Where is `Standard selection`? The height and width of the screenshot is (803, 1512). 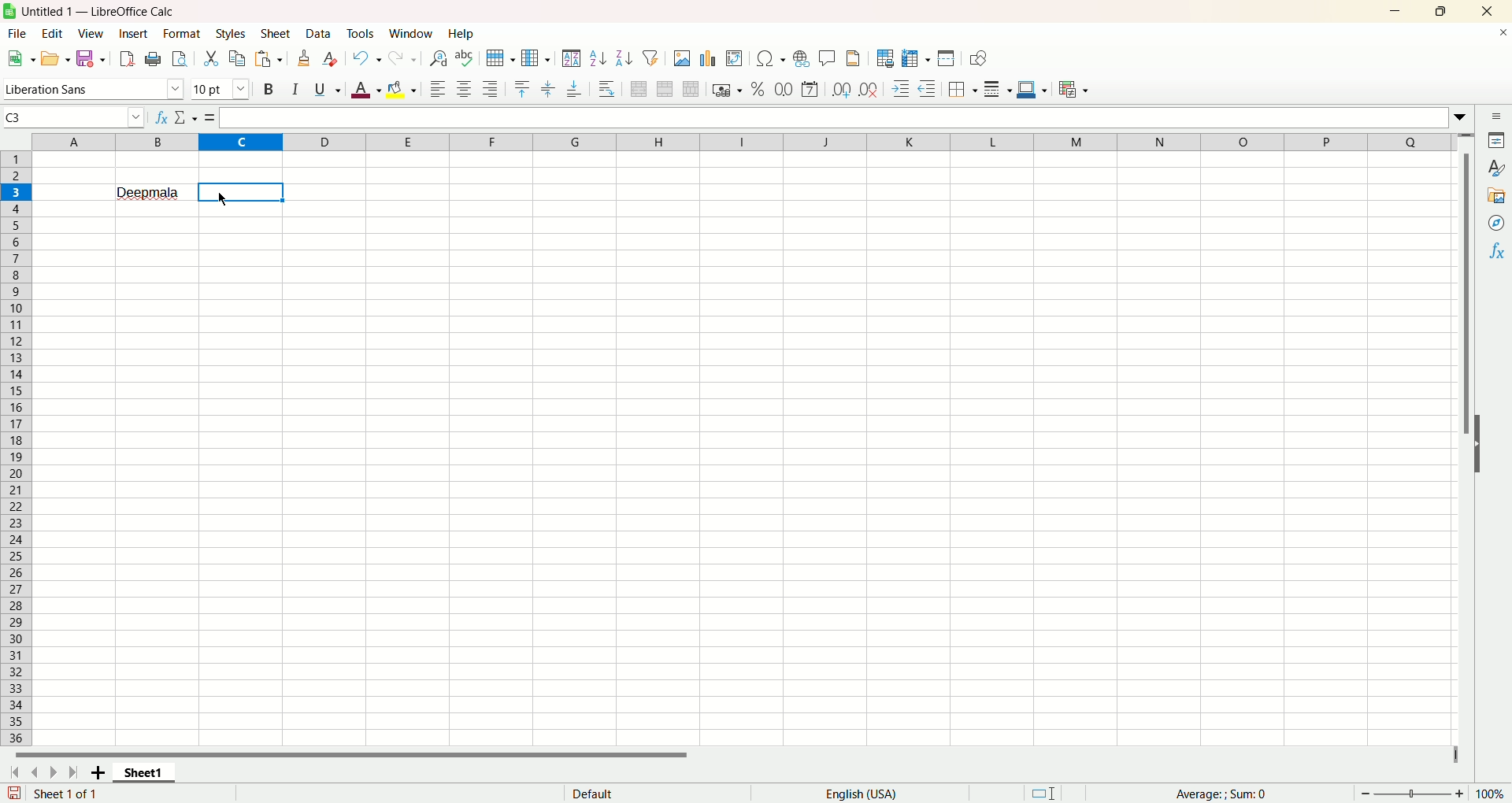 Standard selection is located at coordinates (1043, 793).